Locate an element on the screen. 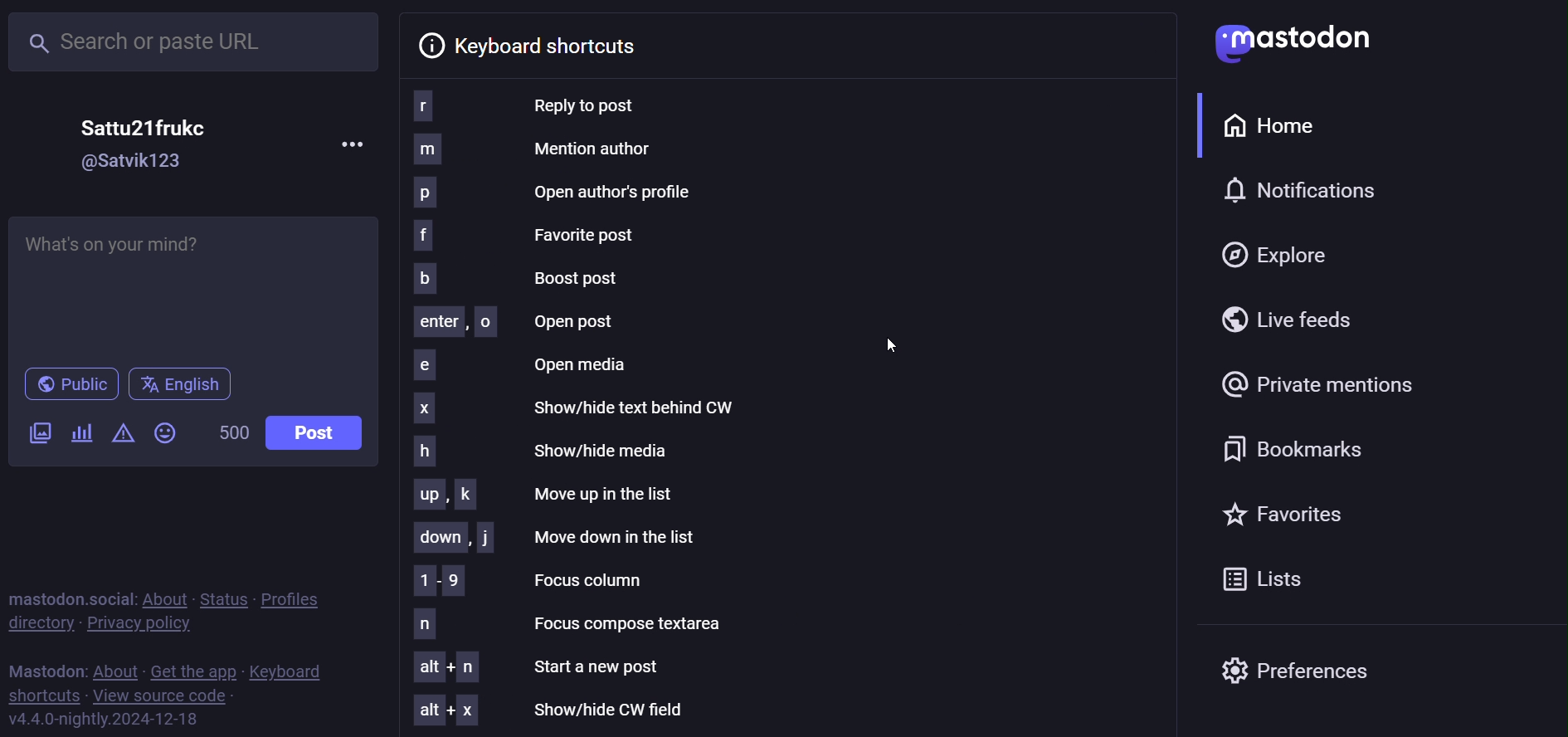 Image resolution: width=1568 pixels, height=737 pixels. content warning is located at coordinates (123, 432).